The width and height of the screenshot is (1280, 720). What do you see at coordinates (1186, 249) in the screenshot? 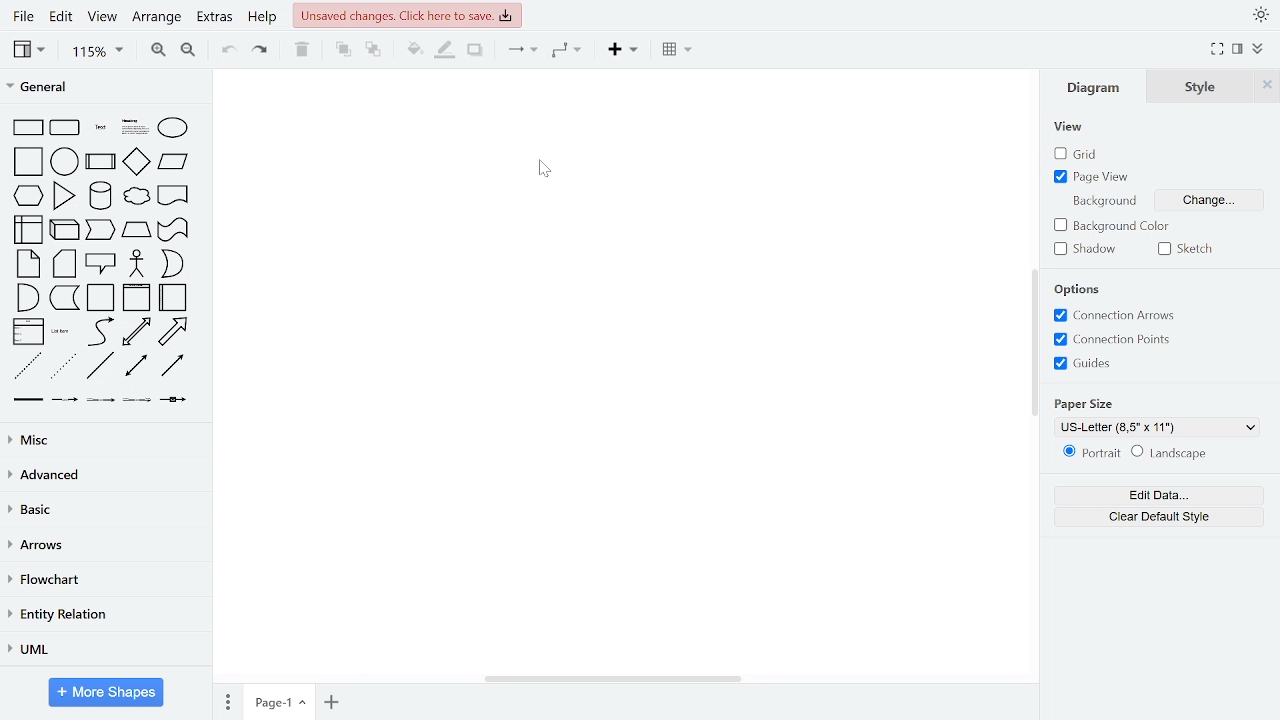
I see `sketch` at bounding box center [1186, 249].